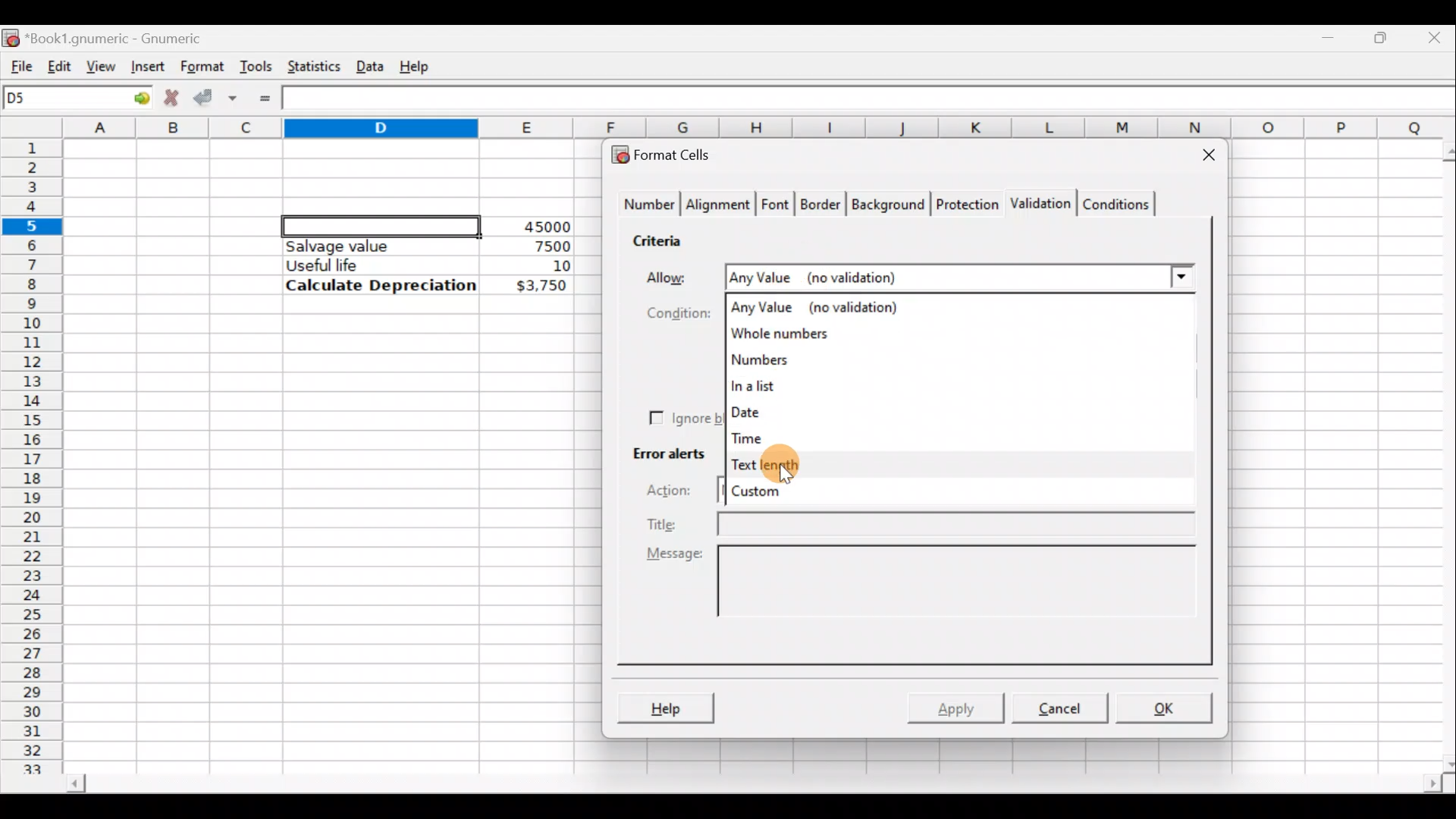 The image size is (1456, 819). What do you see at coordinates (789, 361) in the screenshot?
I see `Numbers` at bounding box center [789, 361].